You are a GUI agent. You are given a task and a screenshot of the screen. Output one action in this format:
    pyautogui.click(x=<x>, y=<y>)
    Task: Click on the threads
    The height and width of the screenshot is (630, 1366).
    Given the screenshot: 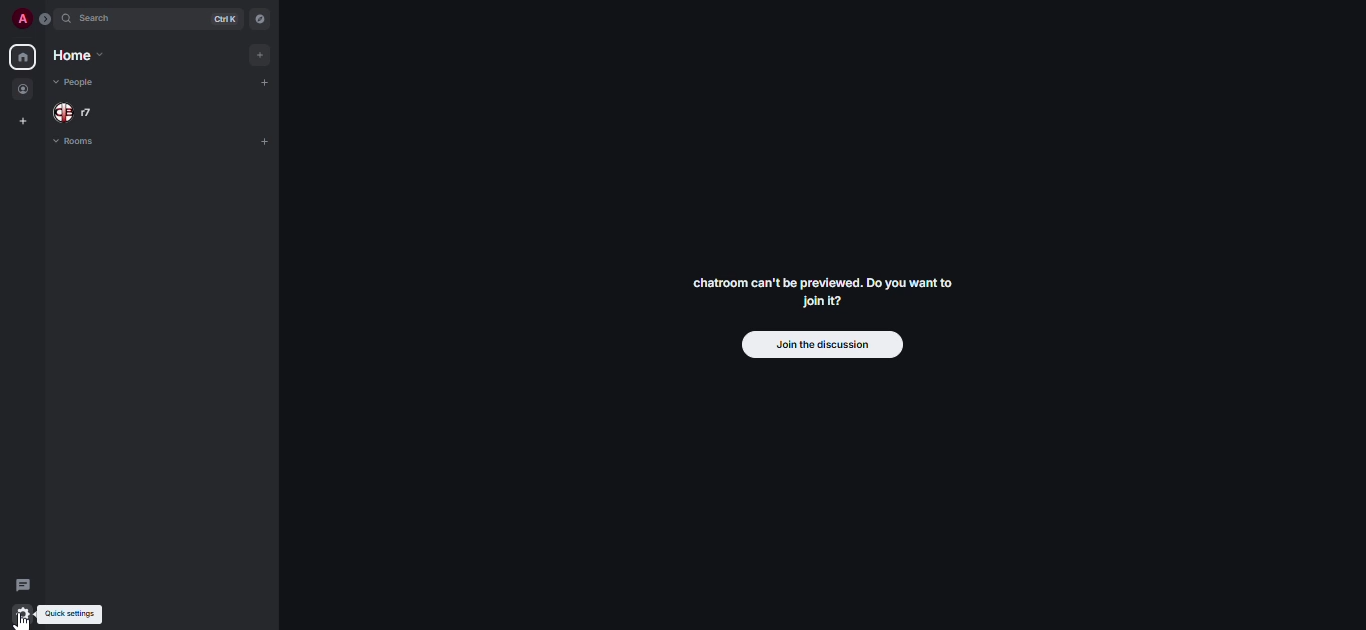 What is the action you would take?
    pyautogui.click(x=22, y=585)
    